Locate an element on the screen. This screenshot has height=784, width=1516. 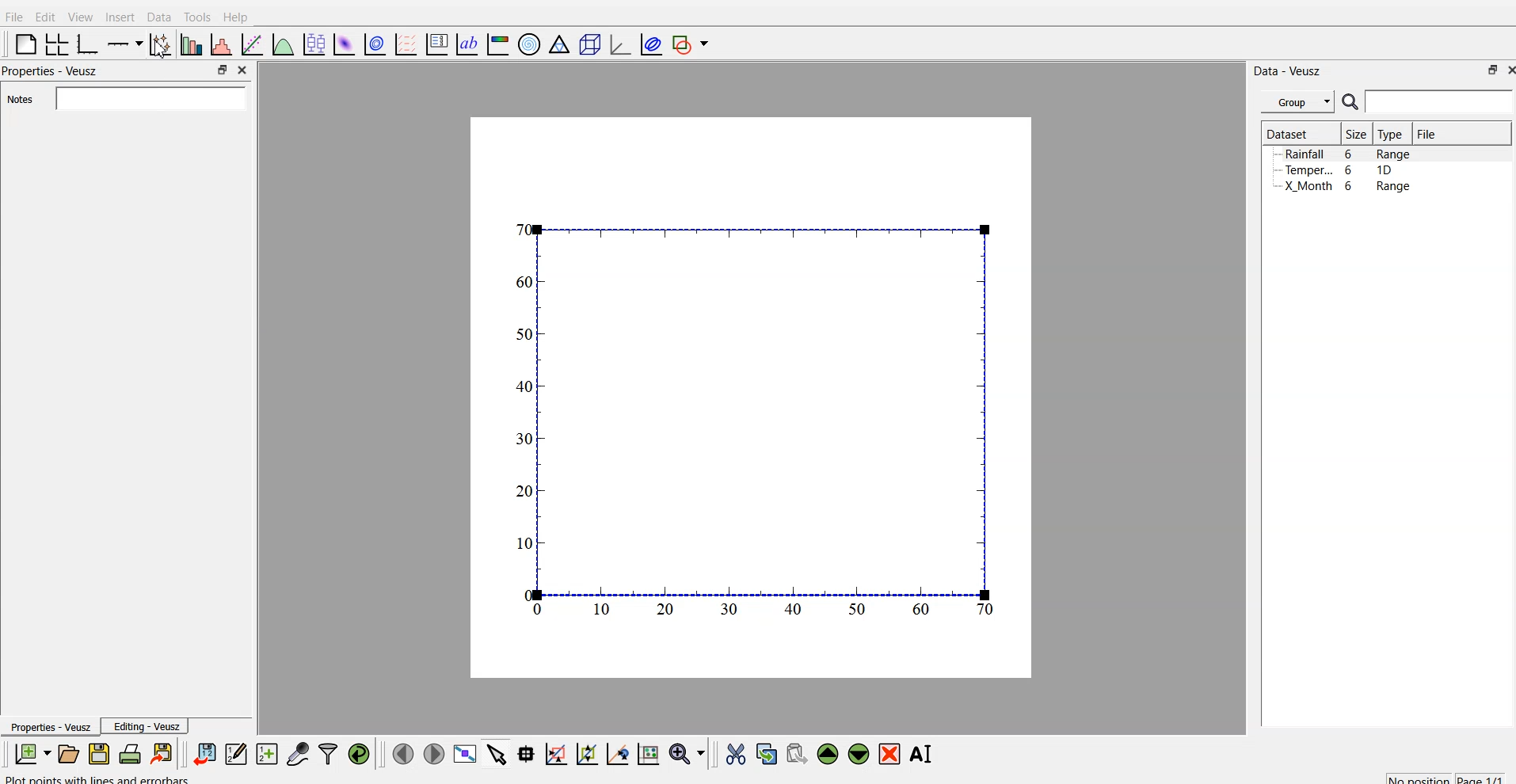
new document is located at coordinates (32, 755).